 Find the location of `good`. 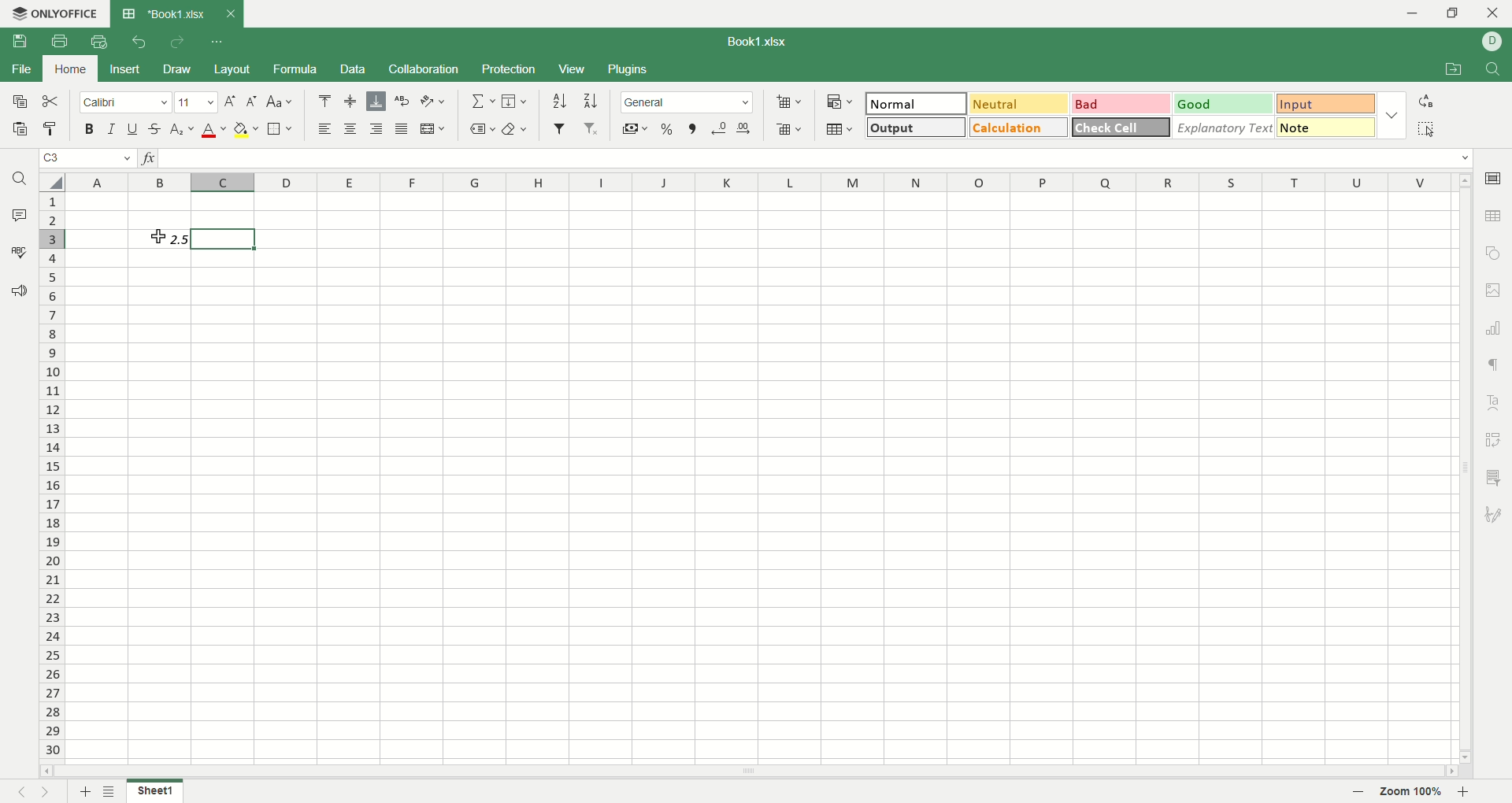

good is located at coordinates (1225, 105).